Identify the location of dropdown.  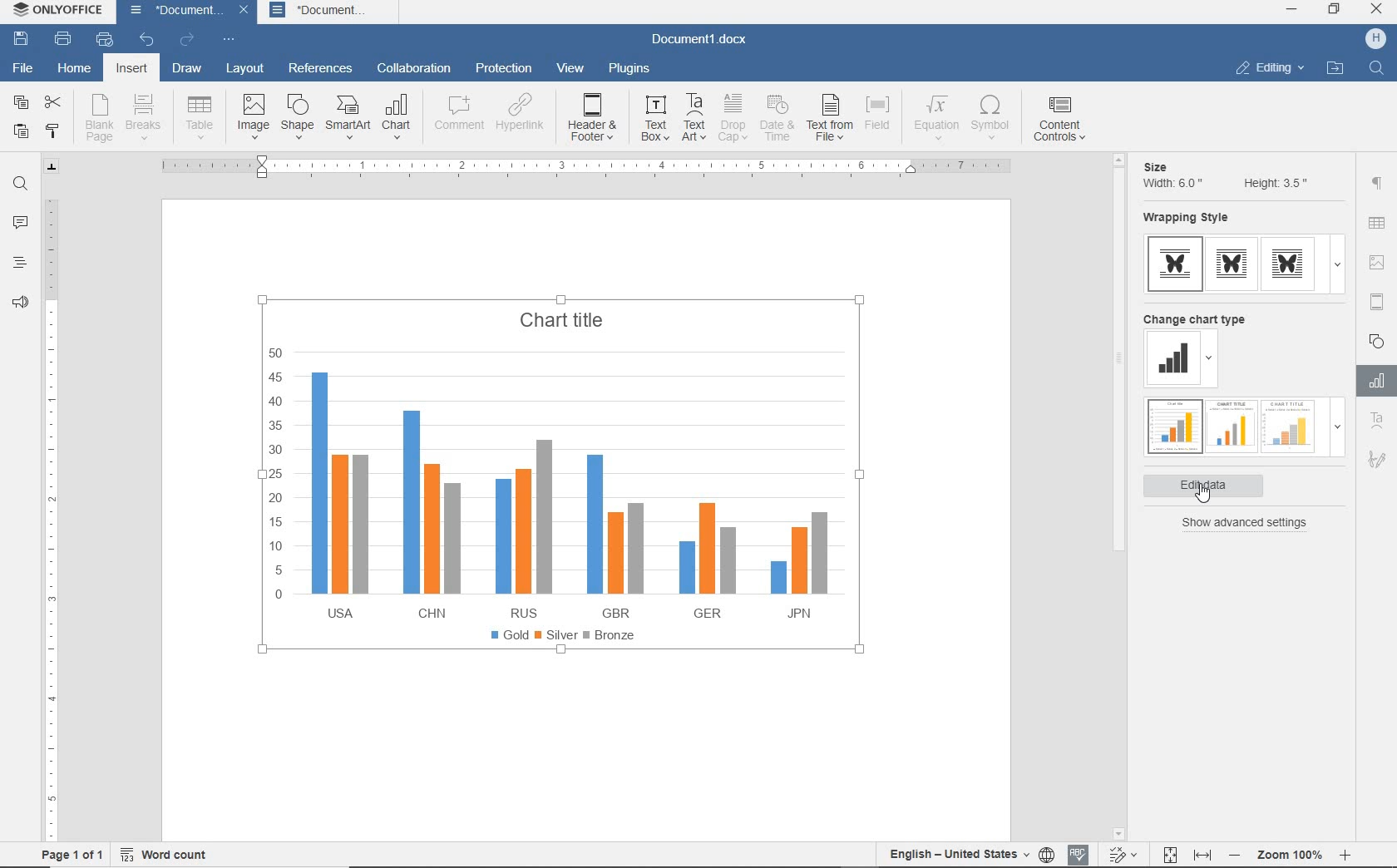
(1337, 432).